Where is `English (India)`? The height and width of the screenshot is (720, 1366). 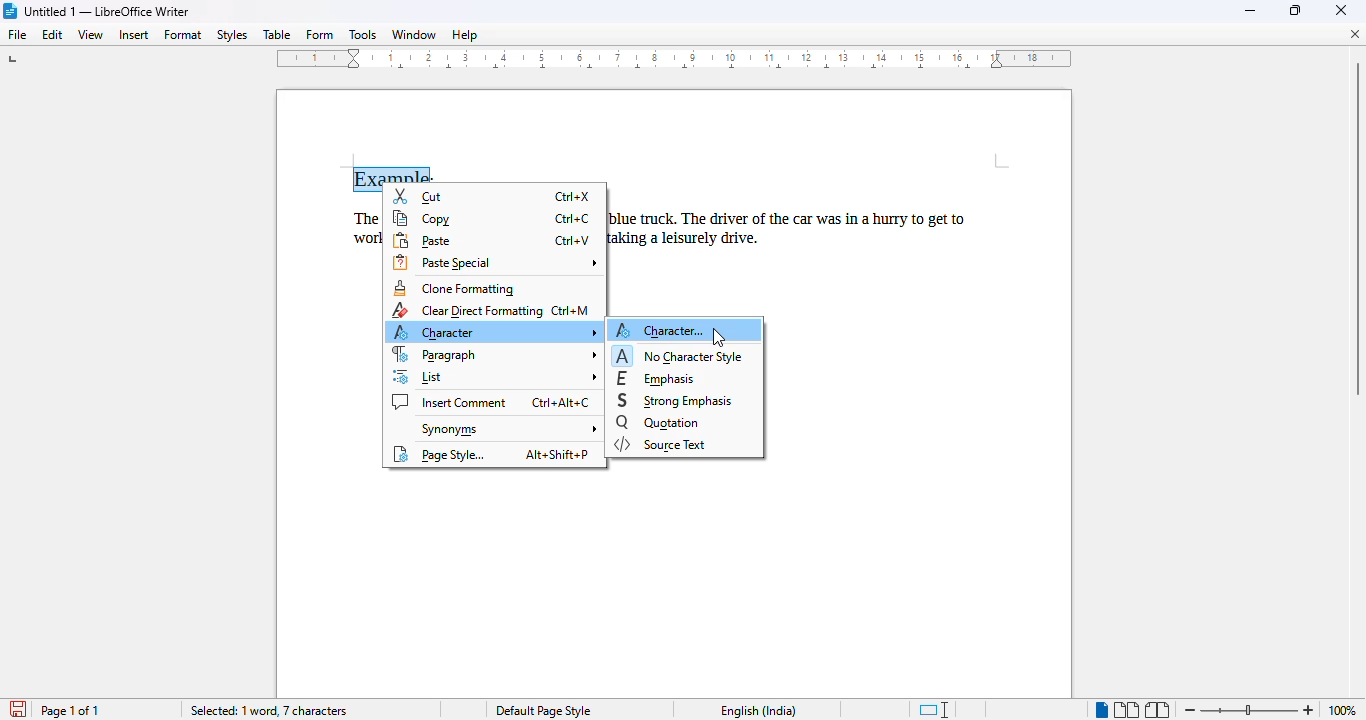 English (India) is located at coordinates (759, 711).